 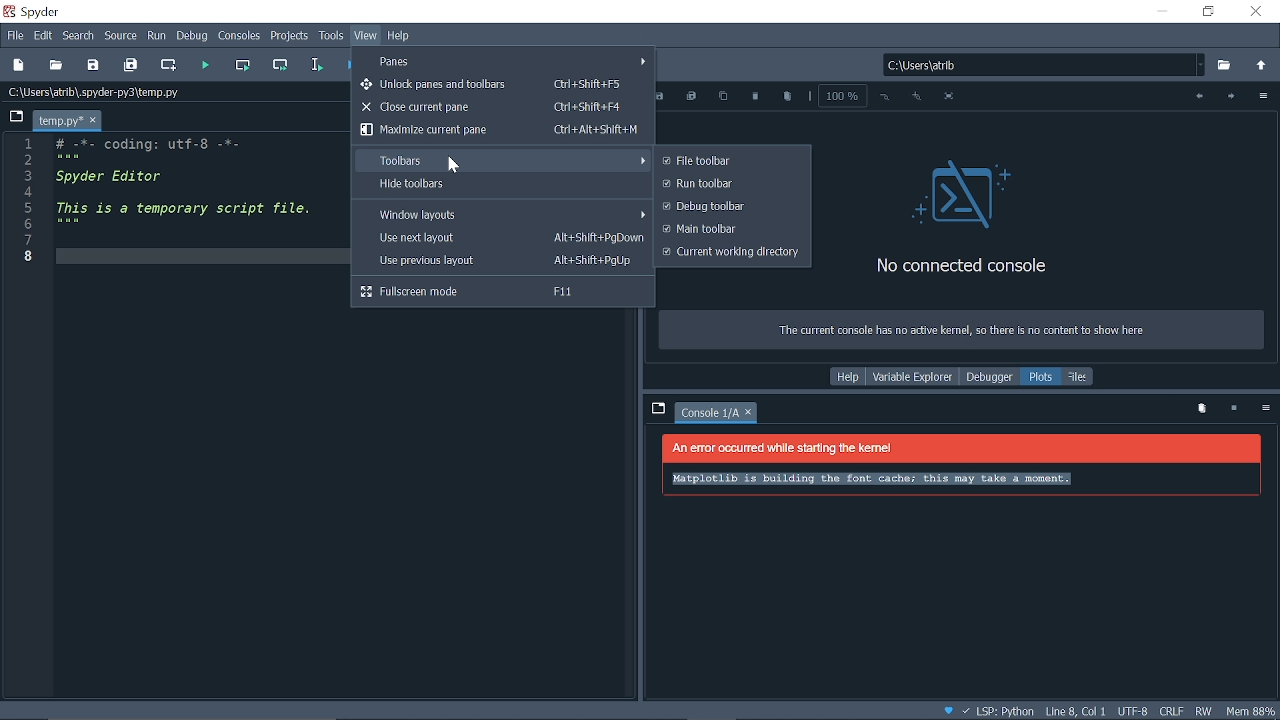 What do you see at coordinates (1236, 409) in the screenshot?
I see `Input kernel` at bounding box center [1236, 409].